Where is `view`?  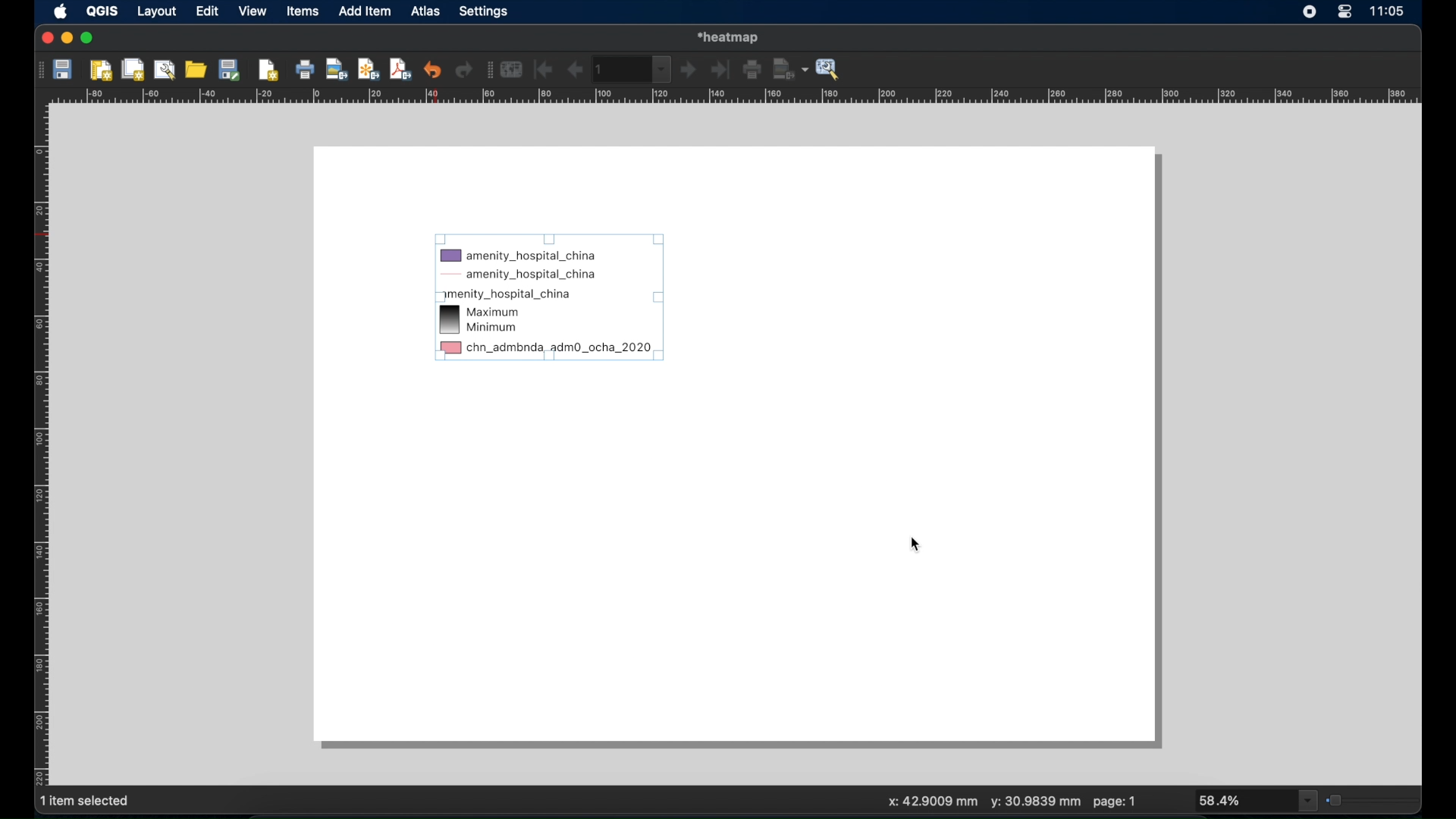
view is located at coordinates (252, 12).